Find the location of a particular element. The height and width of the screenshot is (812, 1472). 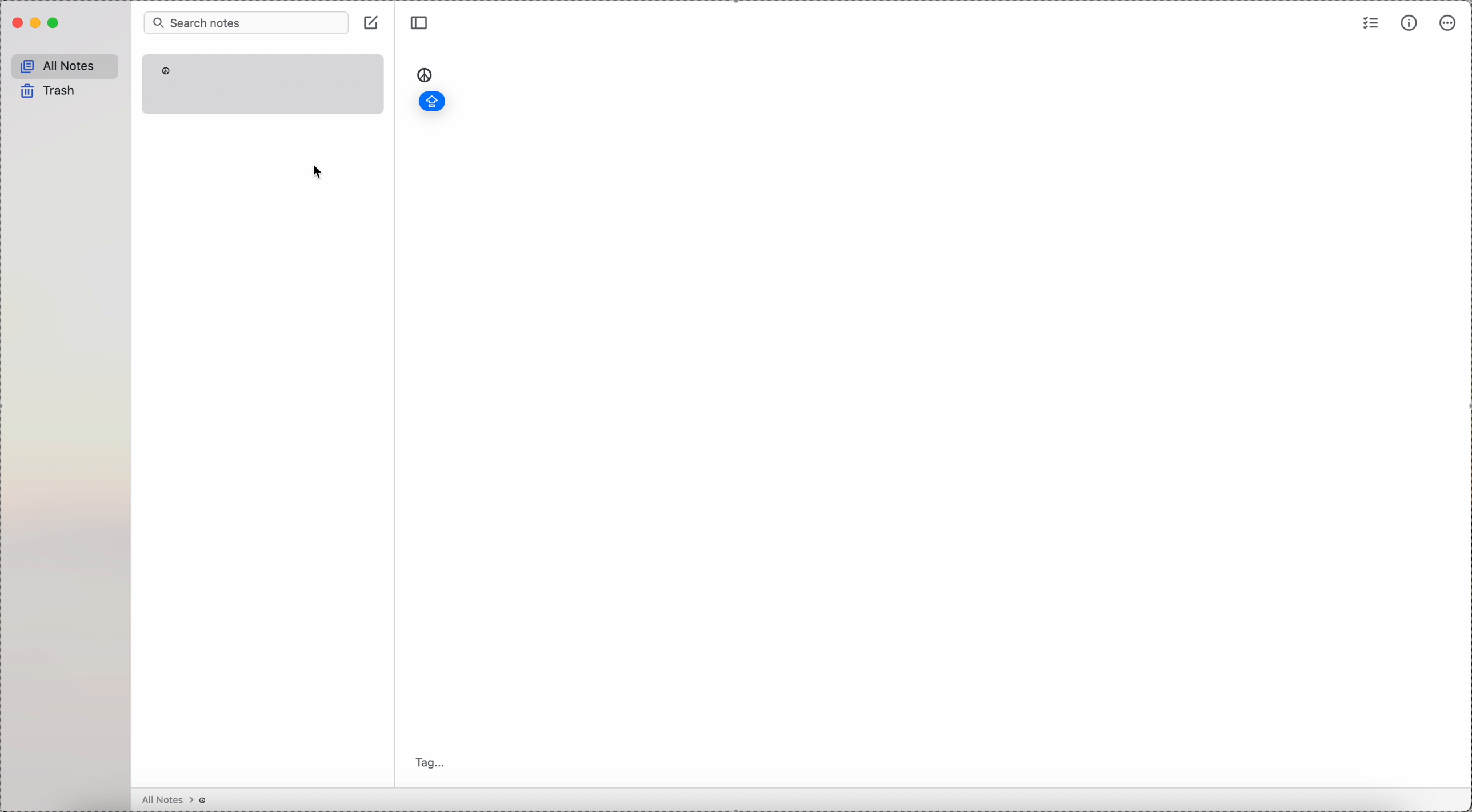

cursor is located at coordinates (318, 172).